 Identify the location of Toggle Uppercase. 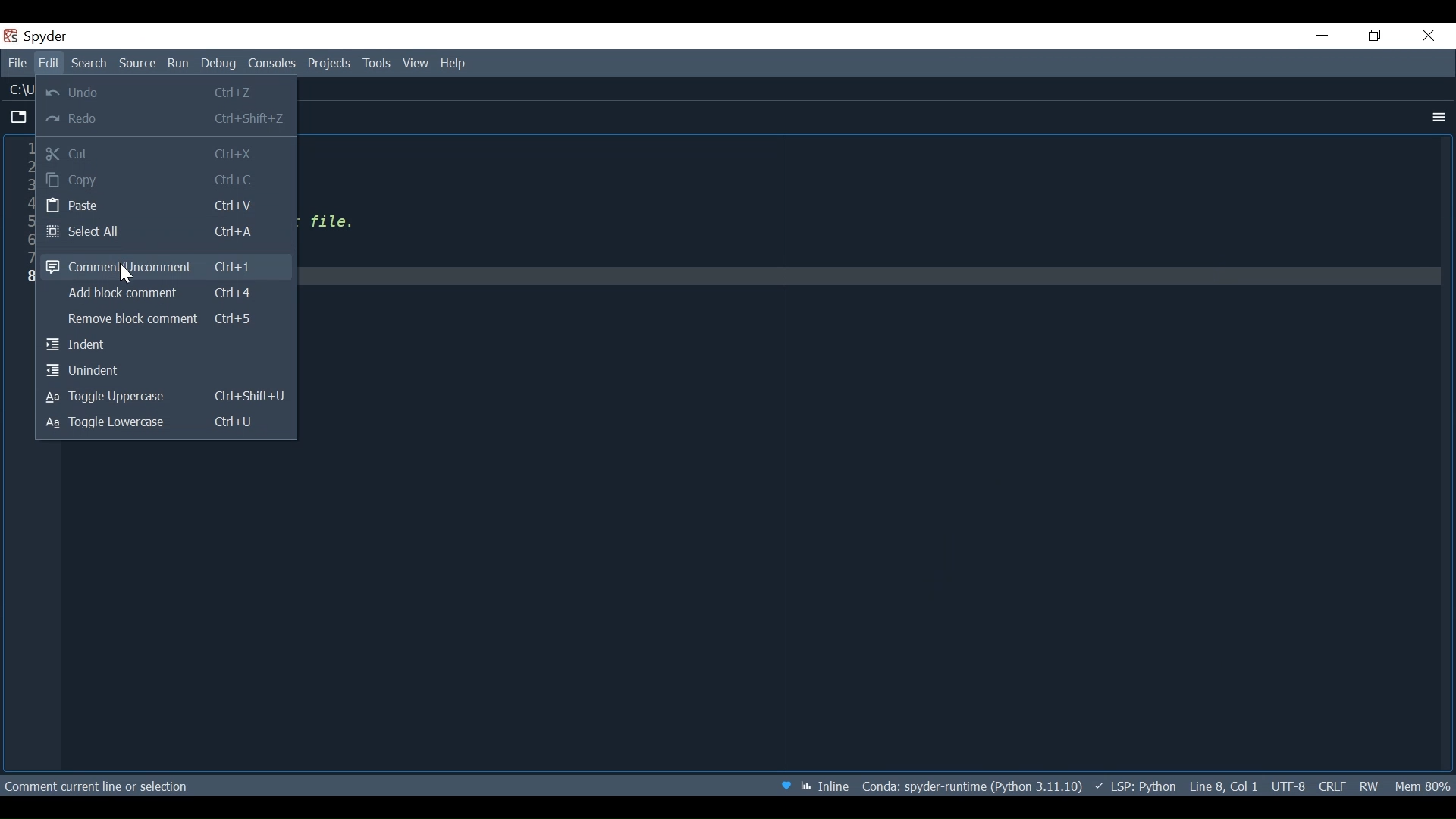
(167, 397).